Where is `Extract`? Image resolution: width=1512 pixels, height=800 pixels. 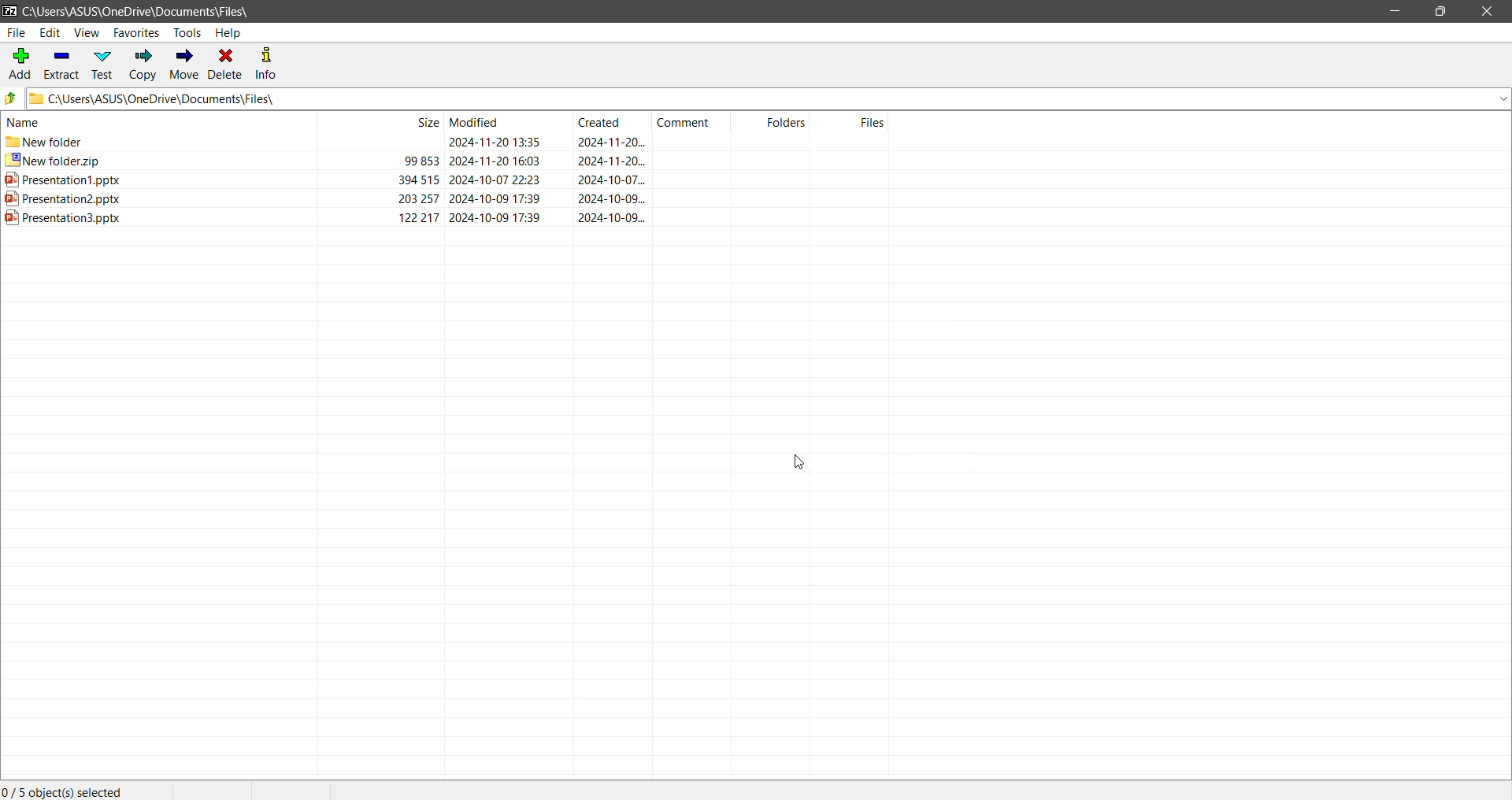 Extract is located at coordinates (60, 64).